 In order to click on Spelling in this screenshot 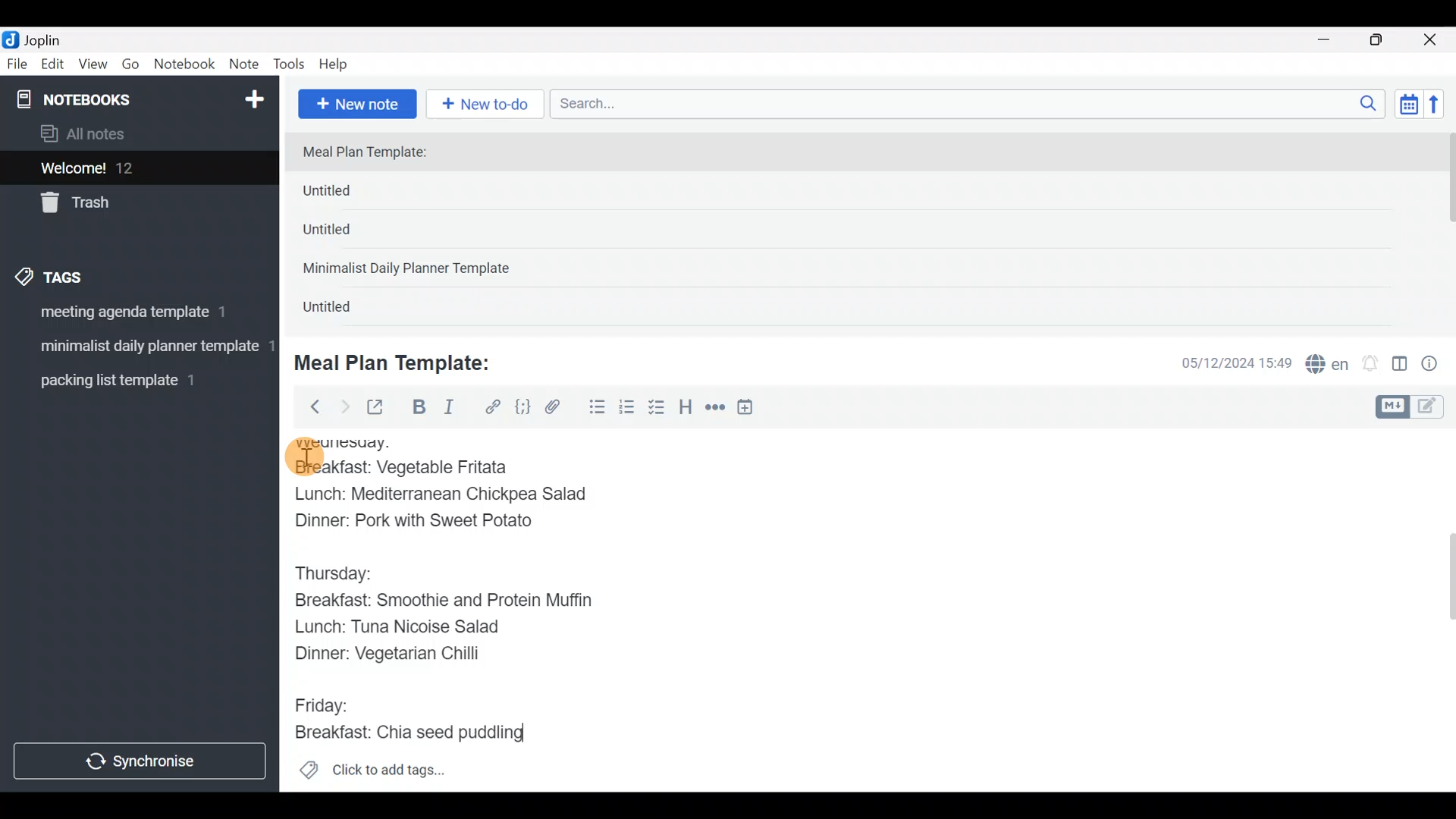, I will do `click(1328, 366)`.